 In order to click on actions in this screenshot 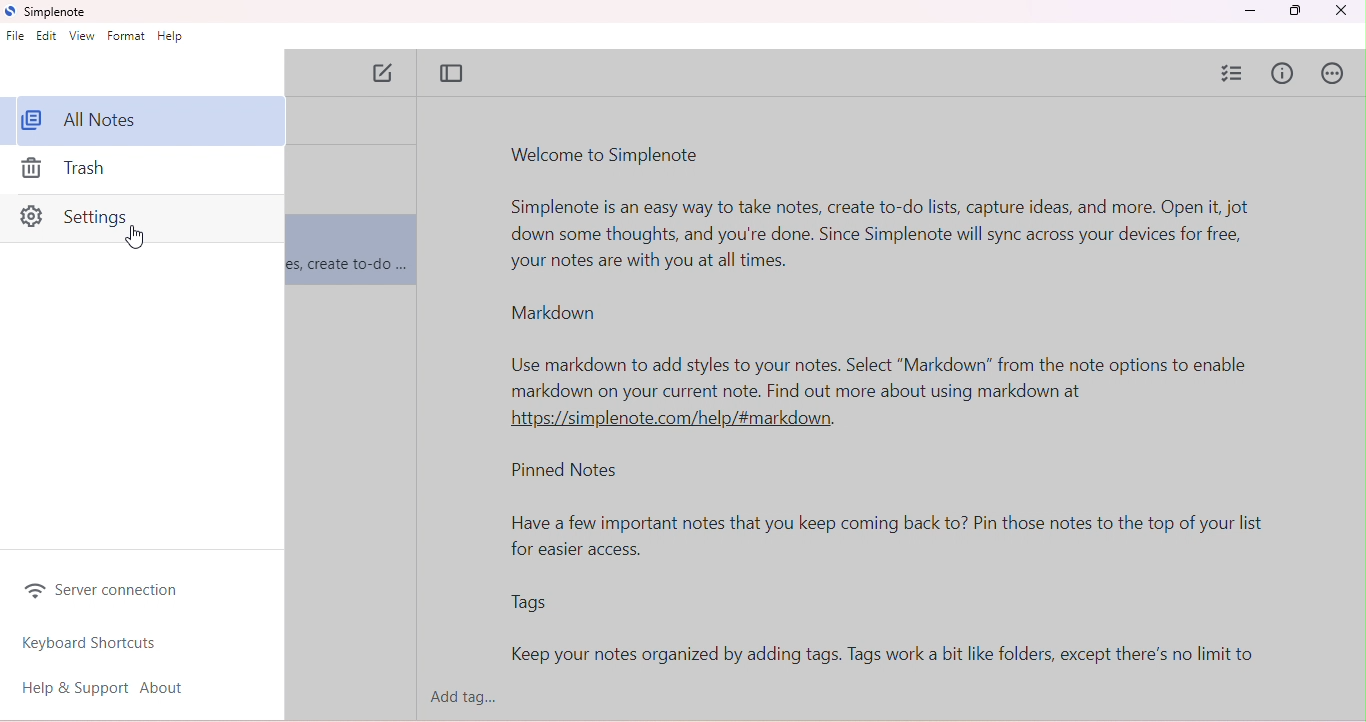, I will do `click(1336, 73)`.